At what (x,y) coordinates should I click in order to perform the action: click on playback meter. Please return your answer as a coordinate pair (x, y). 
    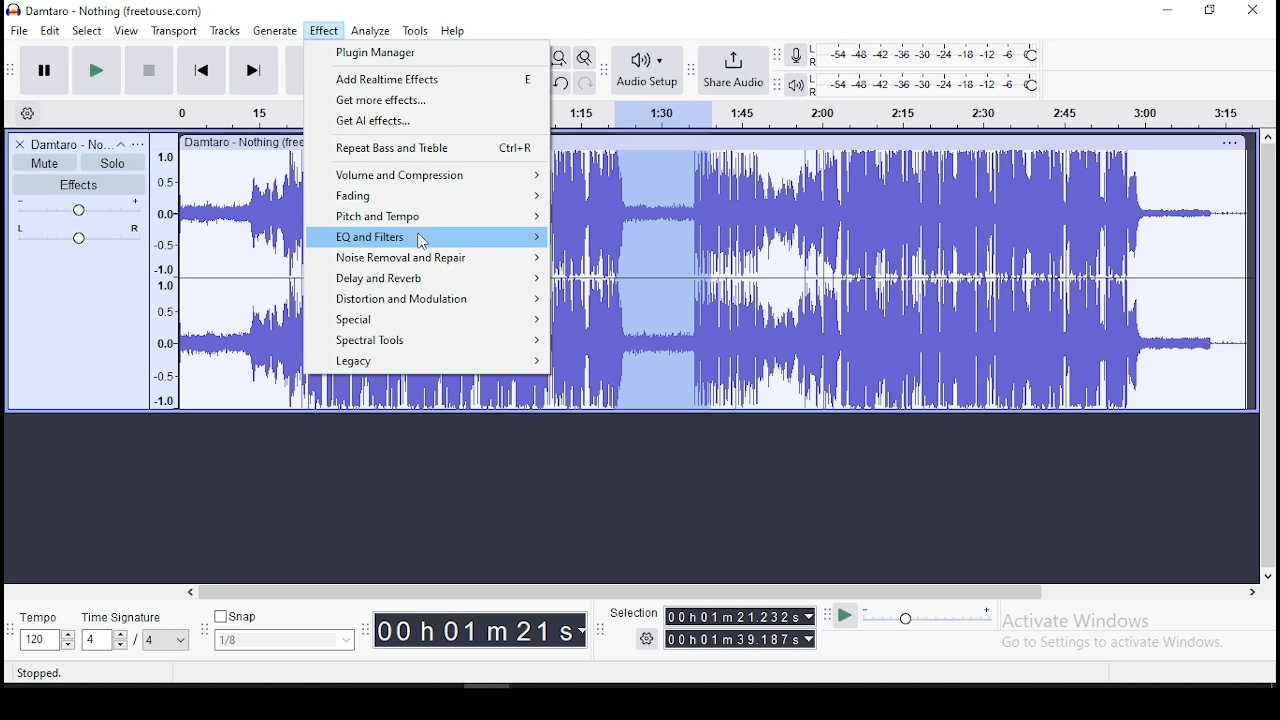
    Looking at the image, I should click on (797, 85).